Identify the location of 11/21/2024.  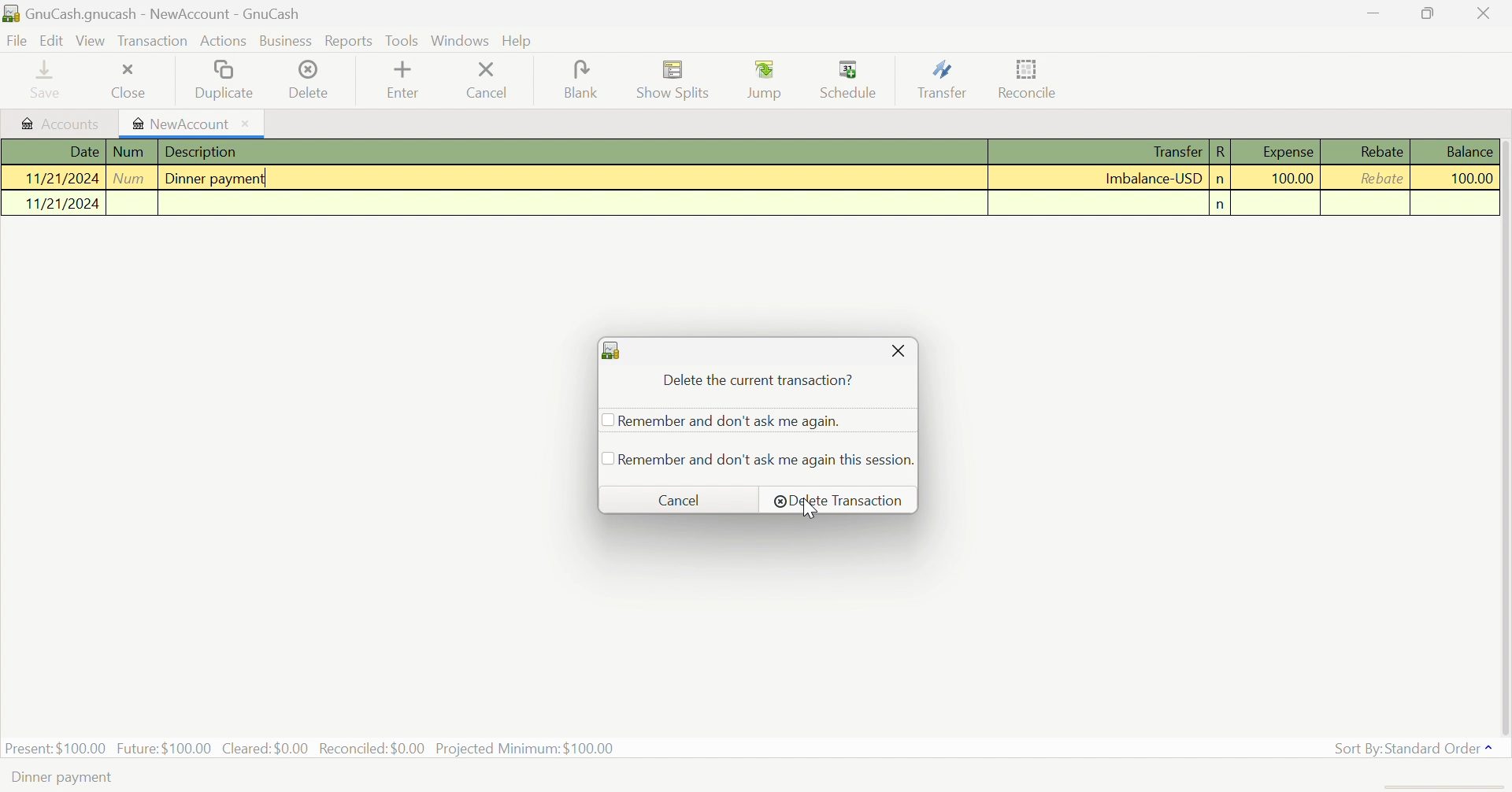
(53, 204).